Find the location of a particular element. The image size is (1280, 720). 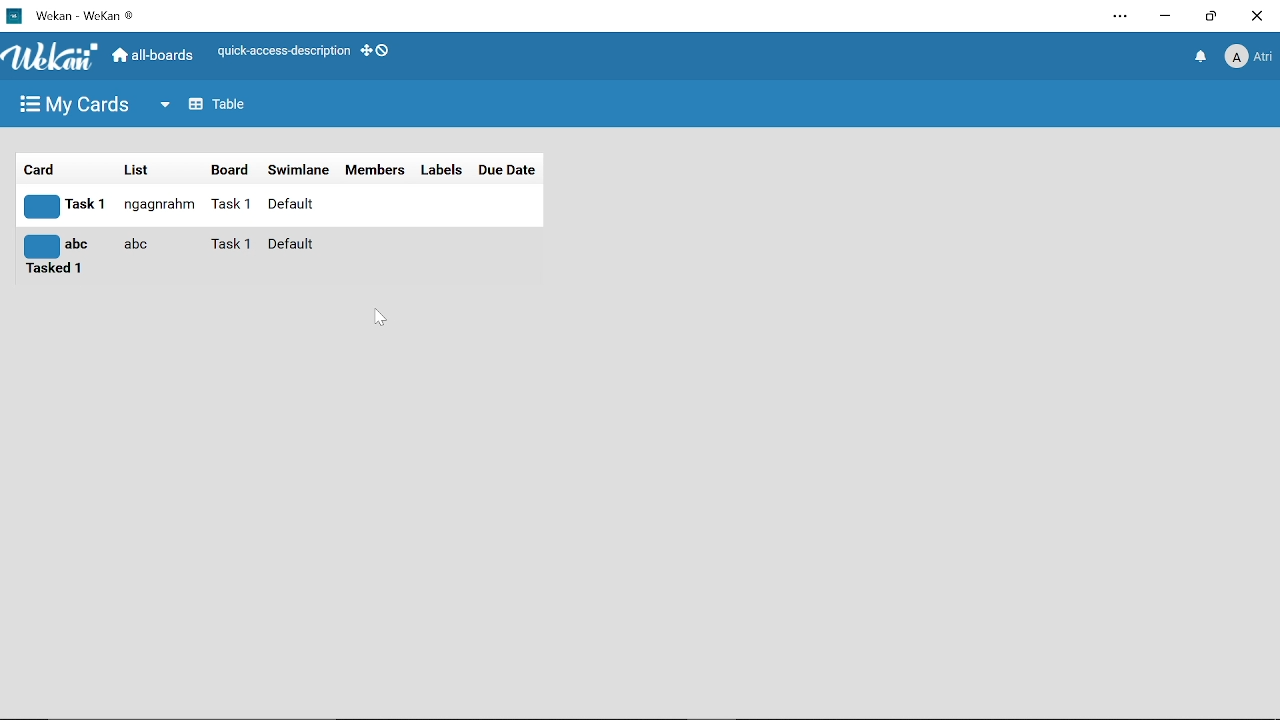

Quick access description is located at coordinates (278, 53).